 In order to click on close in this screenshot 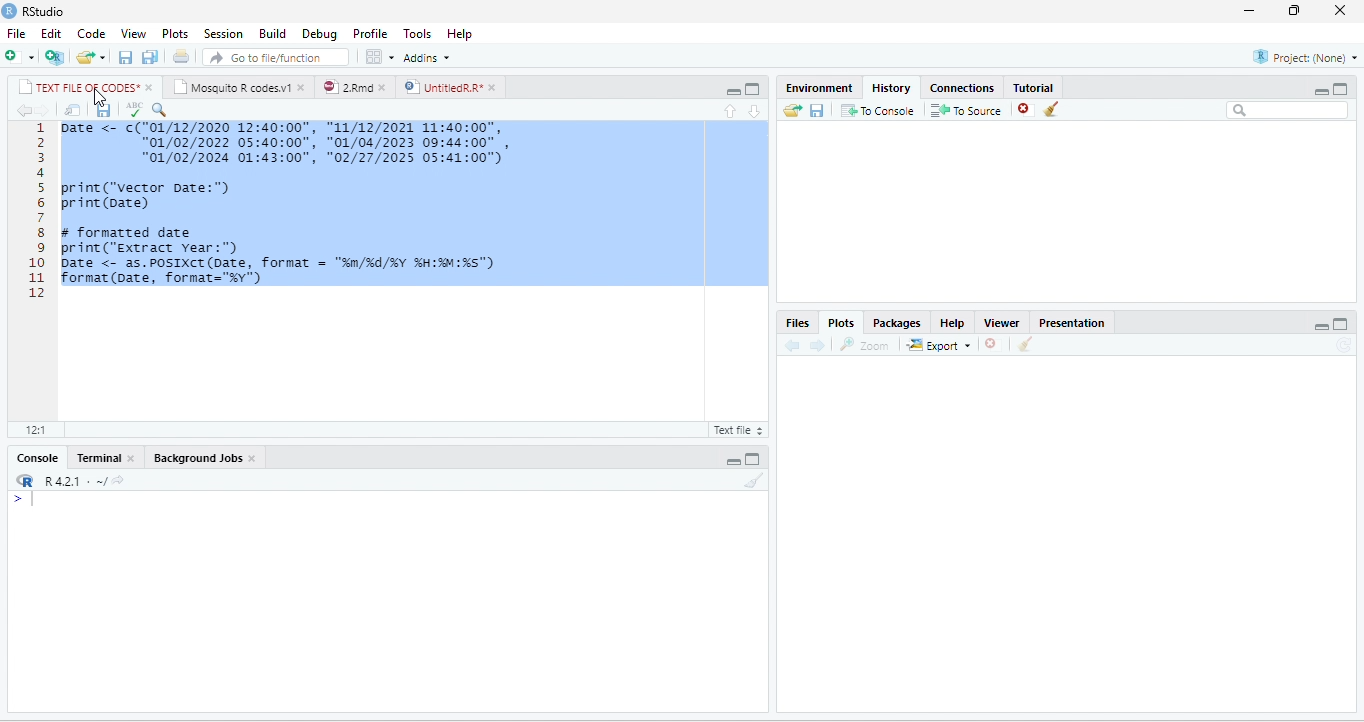, I will do `click(132, 457)`.